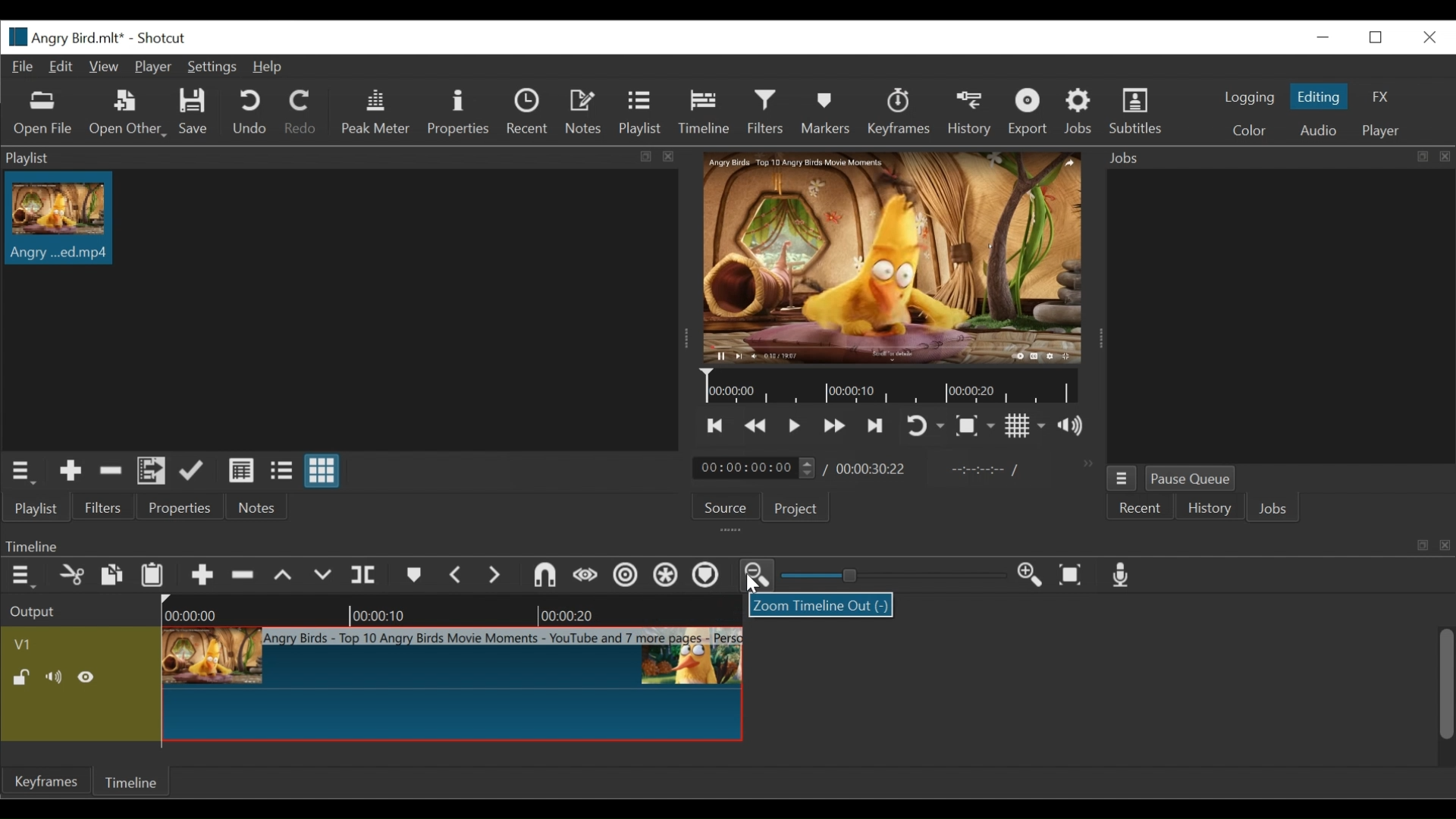 Image resolution: width=1456 pixels, height=819 pixels. What do you see at coordinates (152, 67) in the screenshot?
I see `Player` at bounding box center [152, 67].